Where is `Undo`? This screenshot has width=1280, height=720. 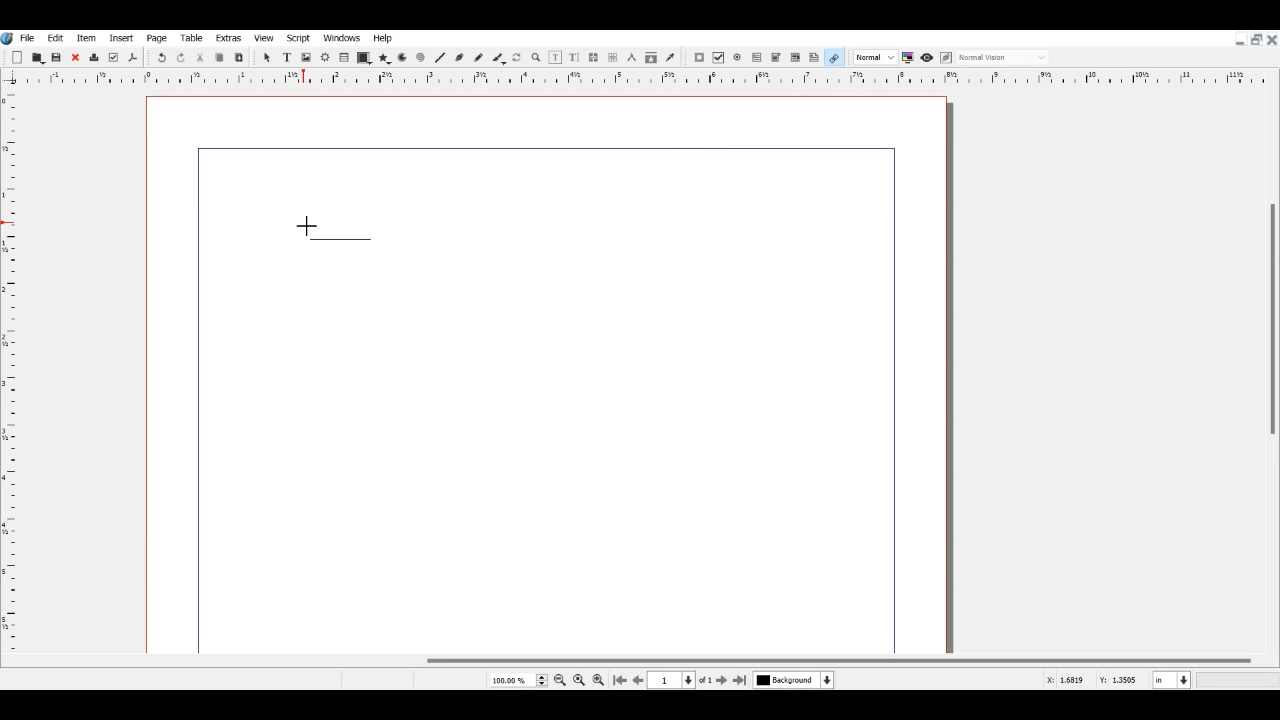 Undo is located at coordinates (161, 58).